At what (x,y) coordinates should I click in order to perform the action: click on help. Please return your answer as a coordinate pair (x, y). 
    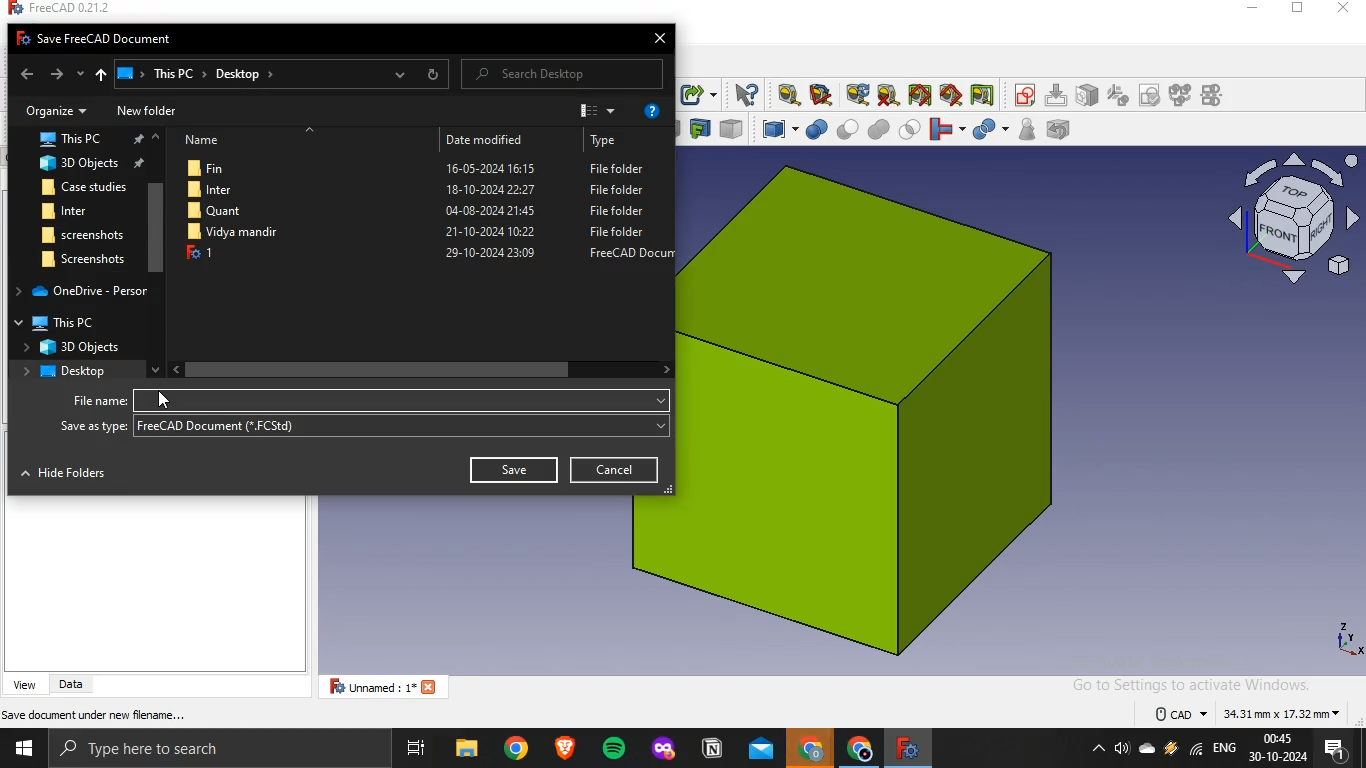
    Looking at the image, I should click on (657, 109).